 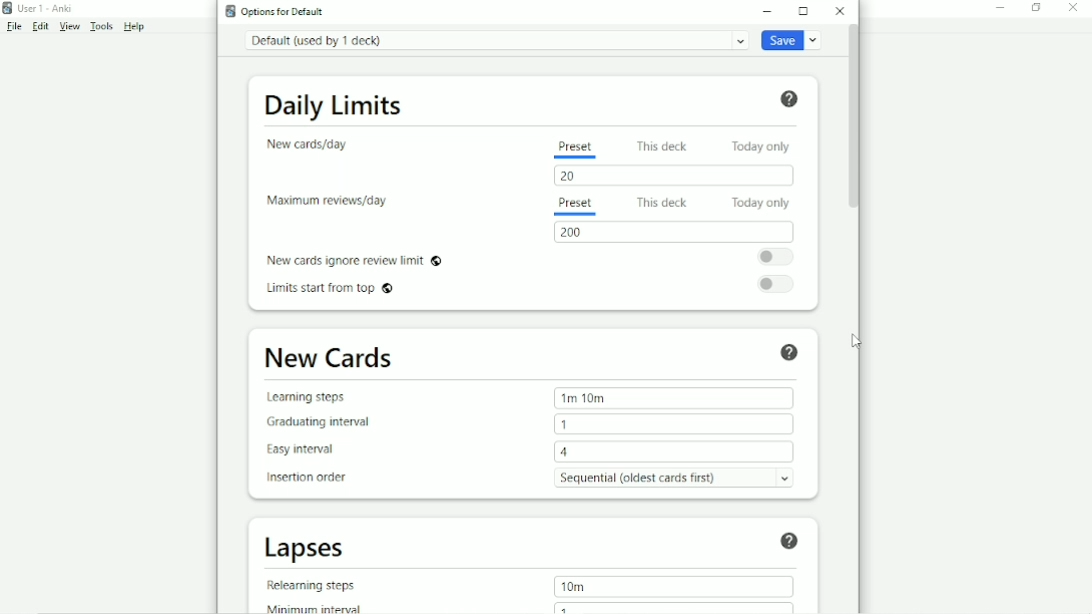 I want to click on Easy interval, so click(x=298, y=452).